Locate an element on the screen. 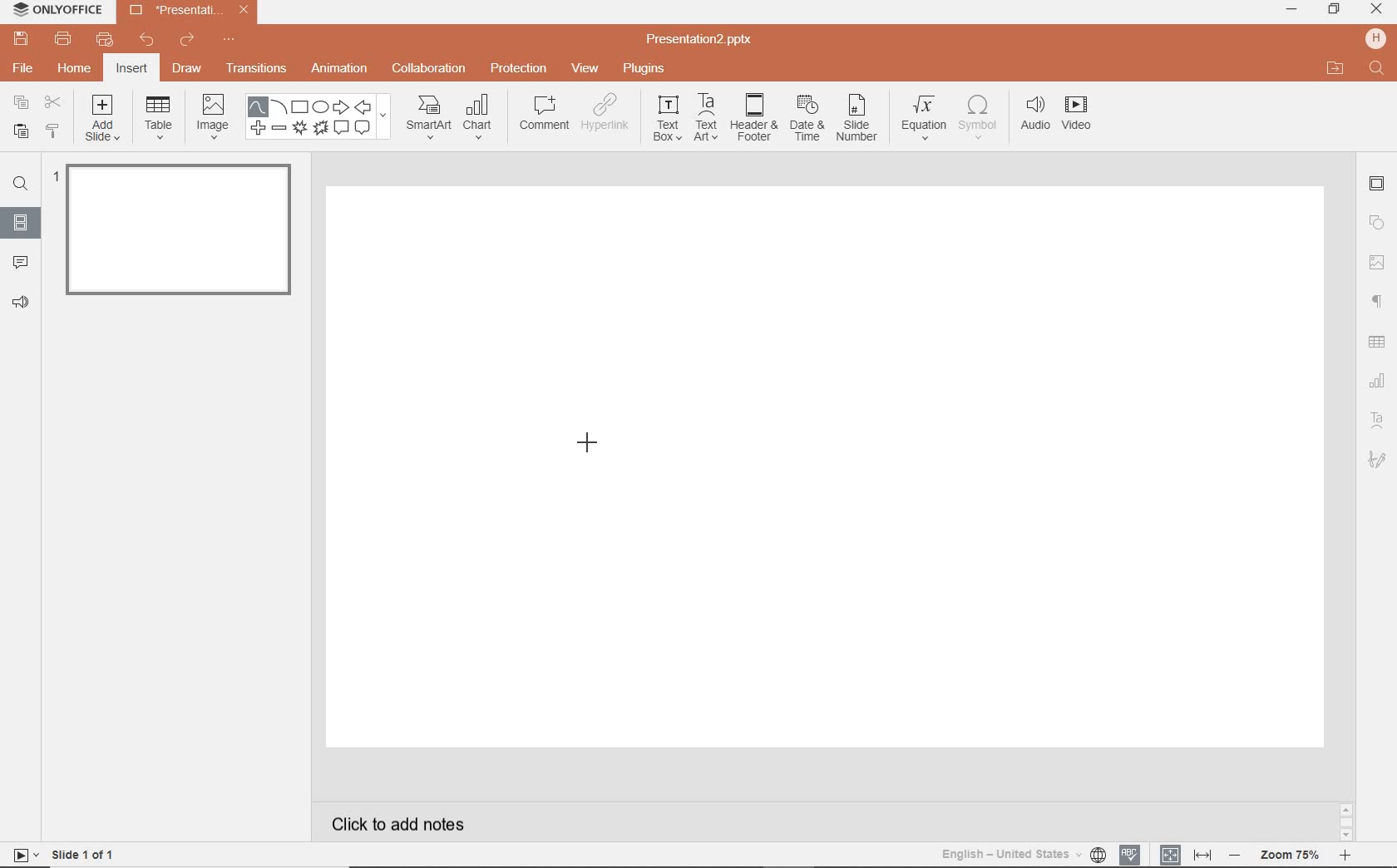 The height and width of the screenshot is (868, 1397). TRANSITIONS is located at coordinates (259, 70).